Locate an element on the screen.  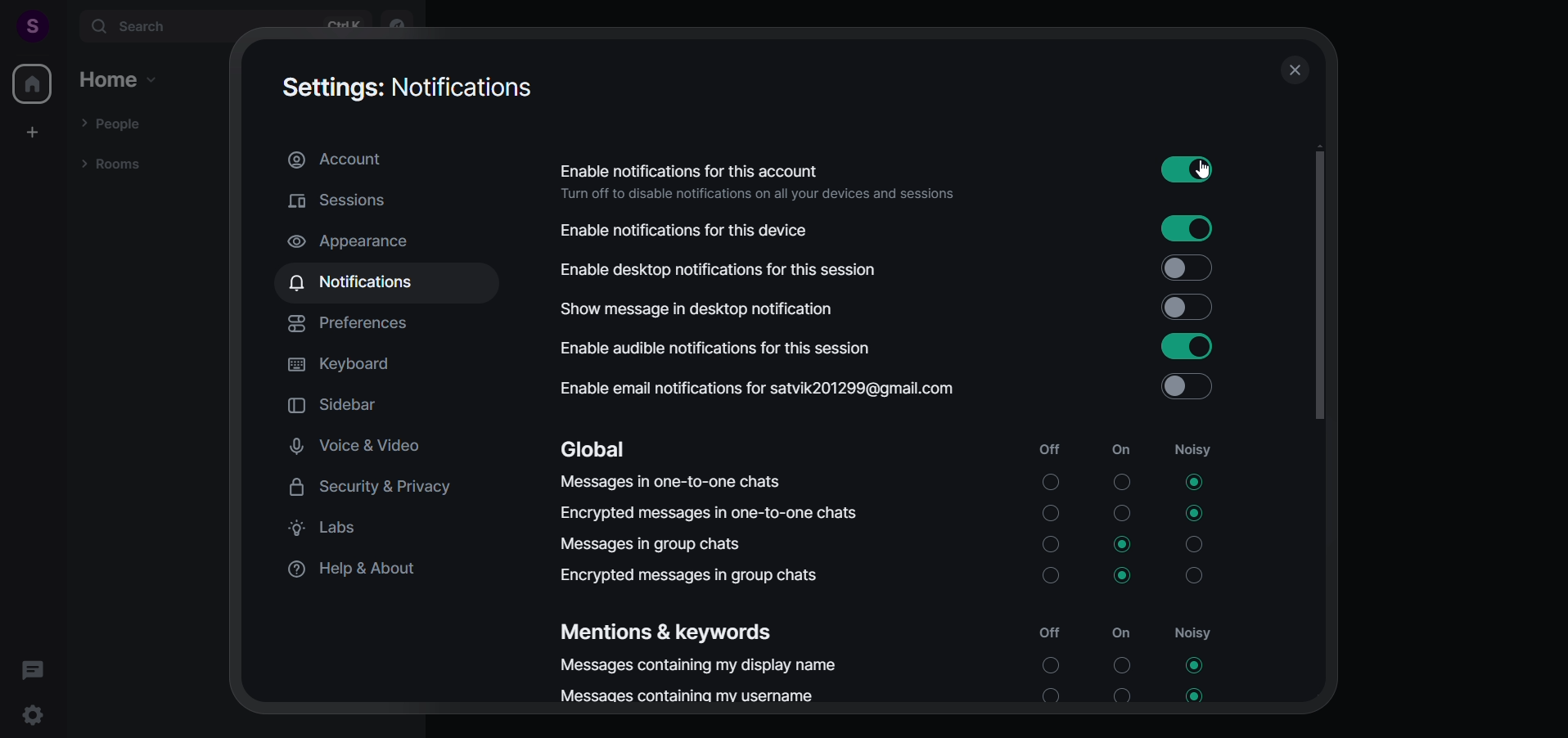
noisy is located at coordinates (1200, 635).